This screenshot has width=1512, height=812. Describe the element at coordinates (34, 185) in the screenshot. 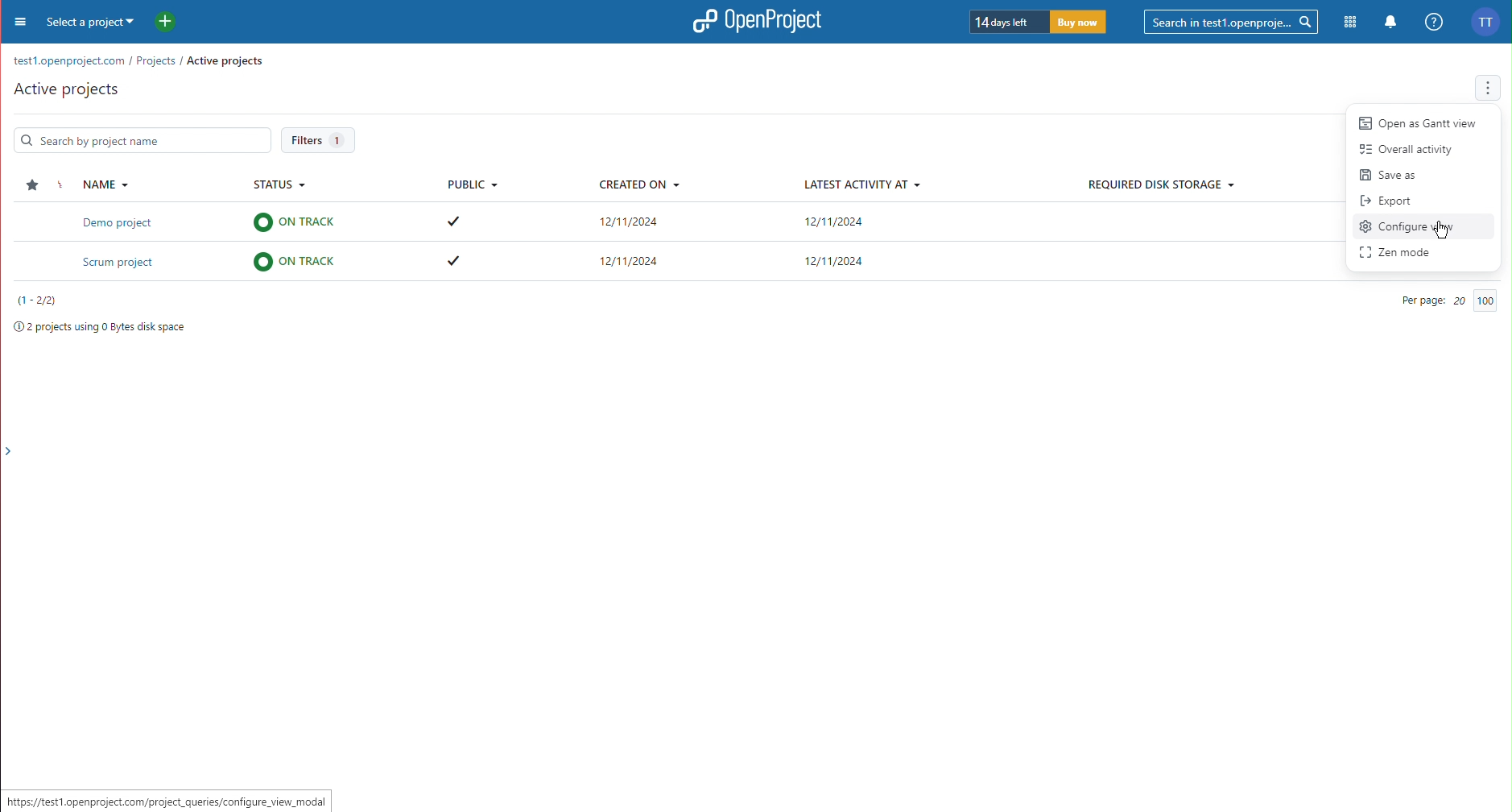

I see `Star` at that location.